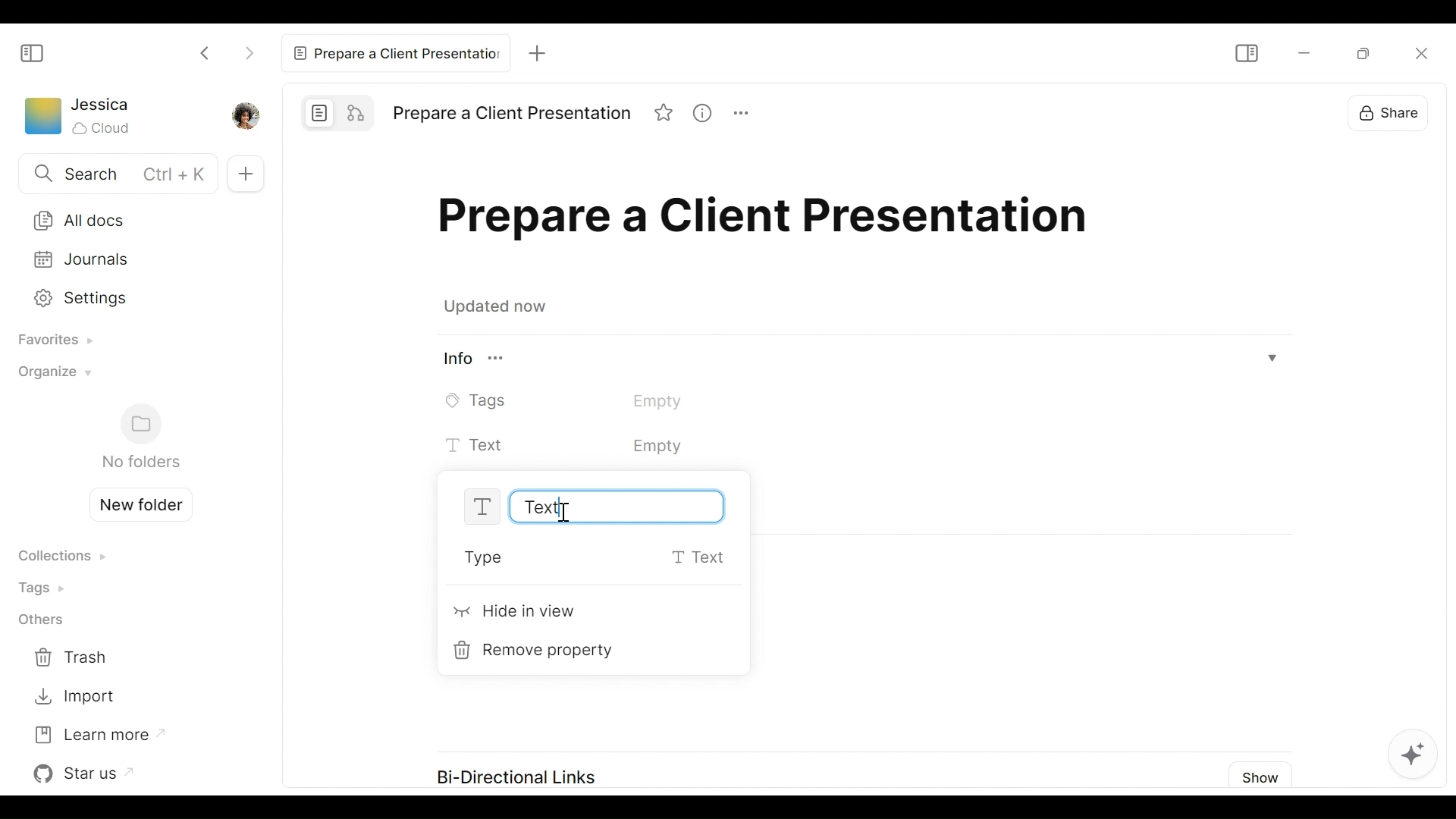 This screenshot has width=1456, height=819. Describe the element at coordinates (74, 658) in the screenshot. I see `Trash` at that location.